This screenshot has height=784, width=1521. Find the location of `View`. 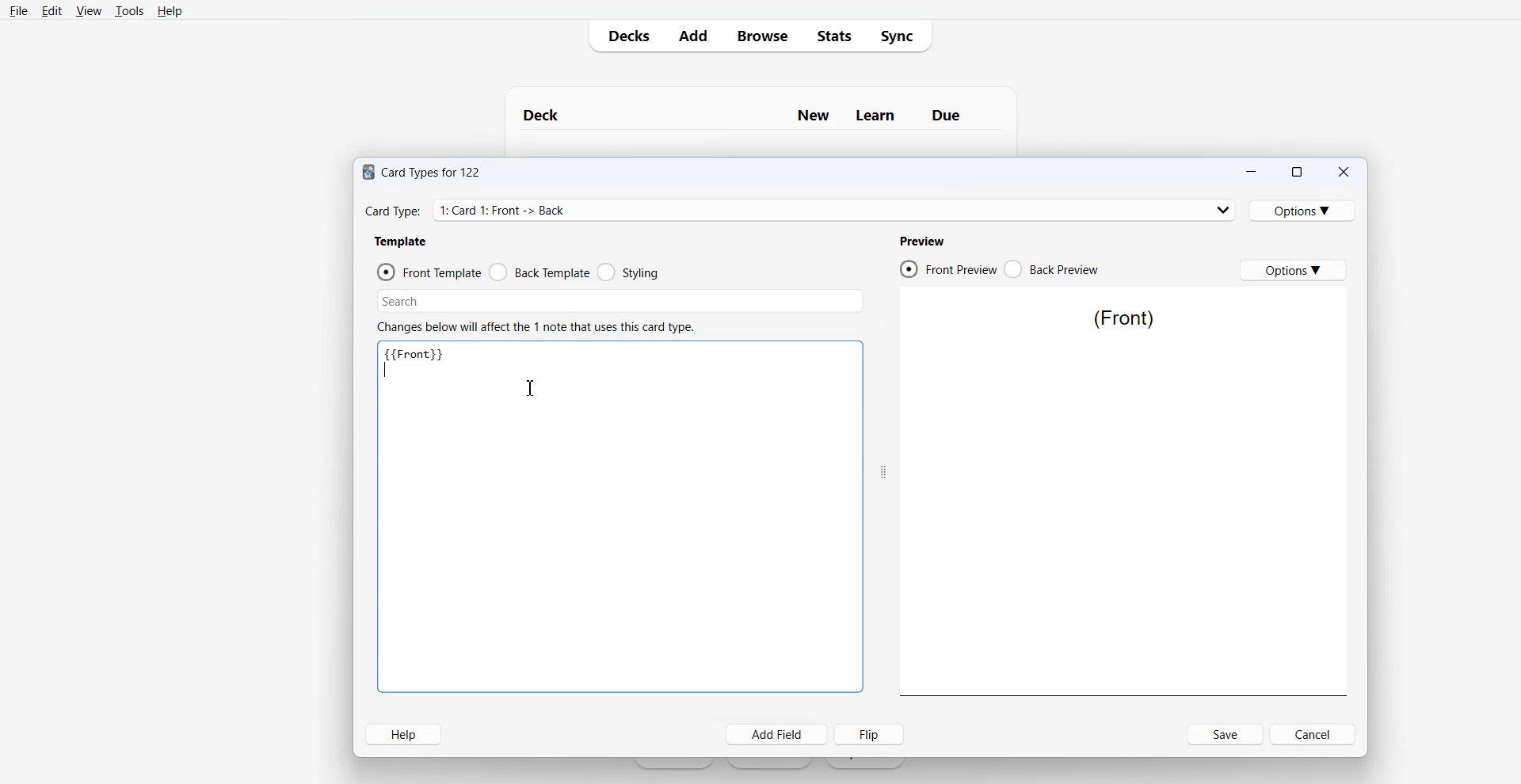

View is located at coordinates (89, 10).